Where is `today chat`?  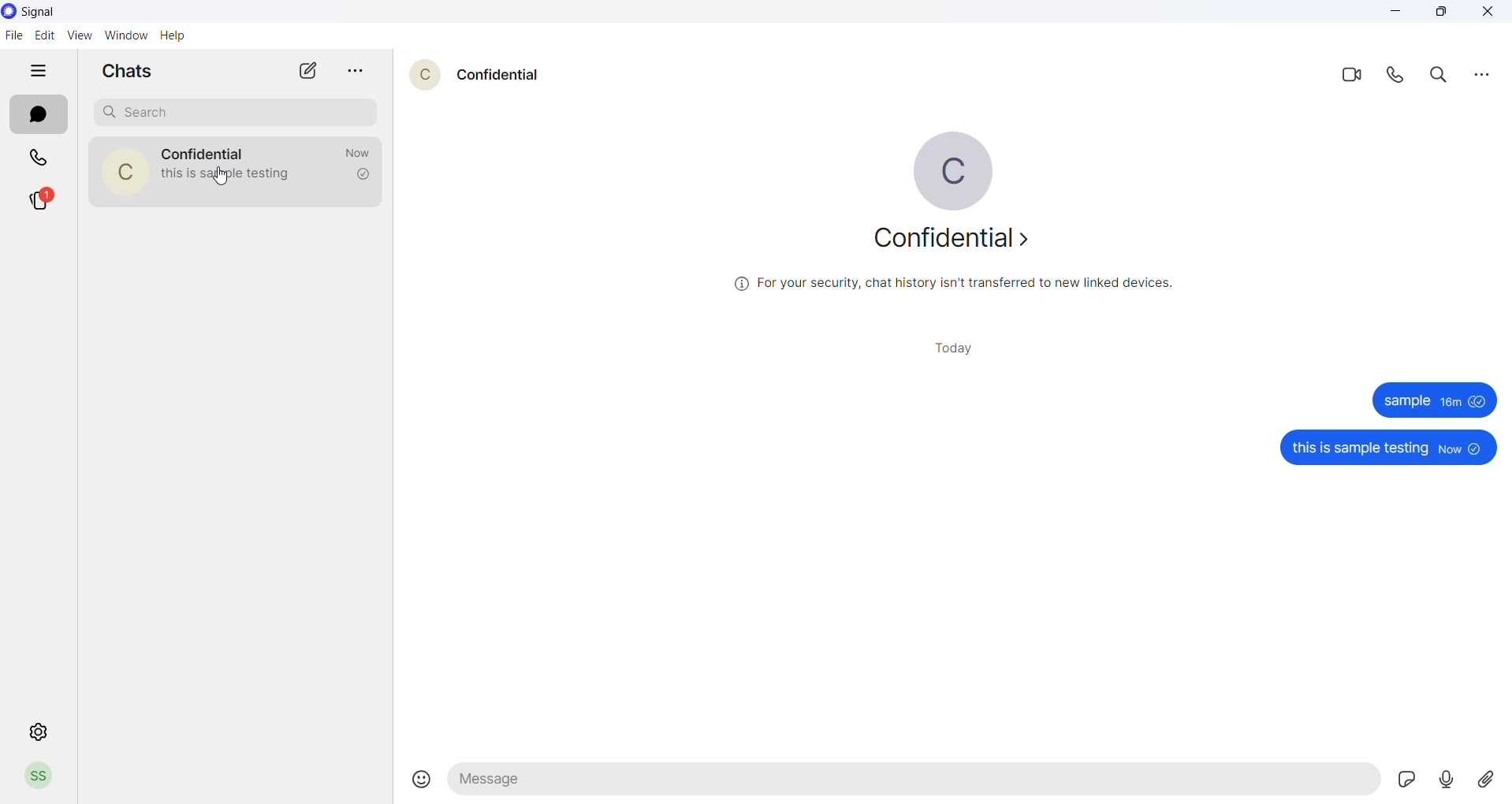 today chat is located at coordinates (962, 348).